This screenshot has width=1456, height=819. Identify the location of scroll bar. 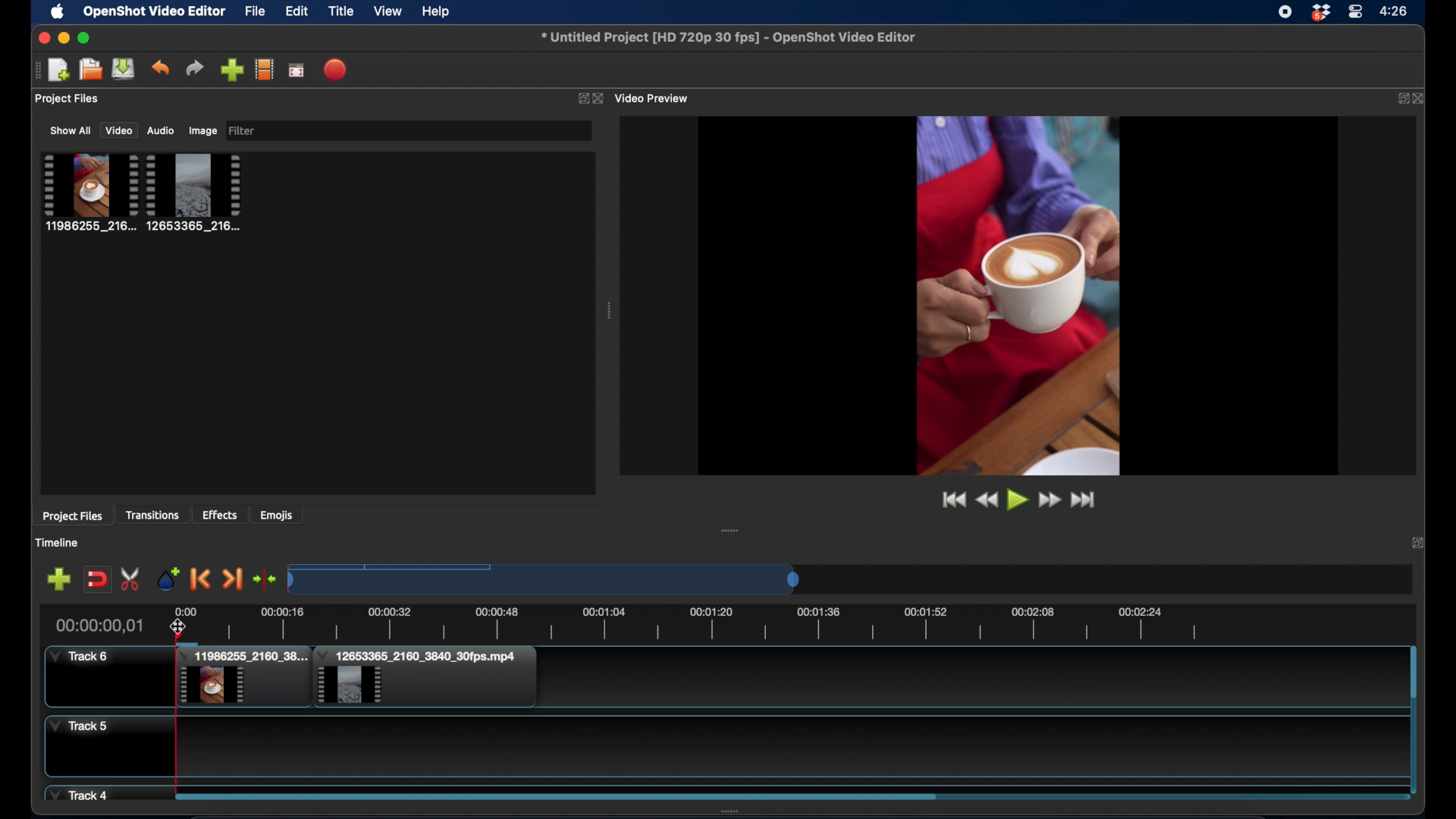
(1413, 673).